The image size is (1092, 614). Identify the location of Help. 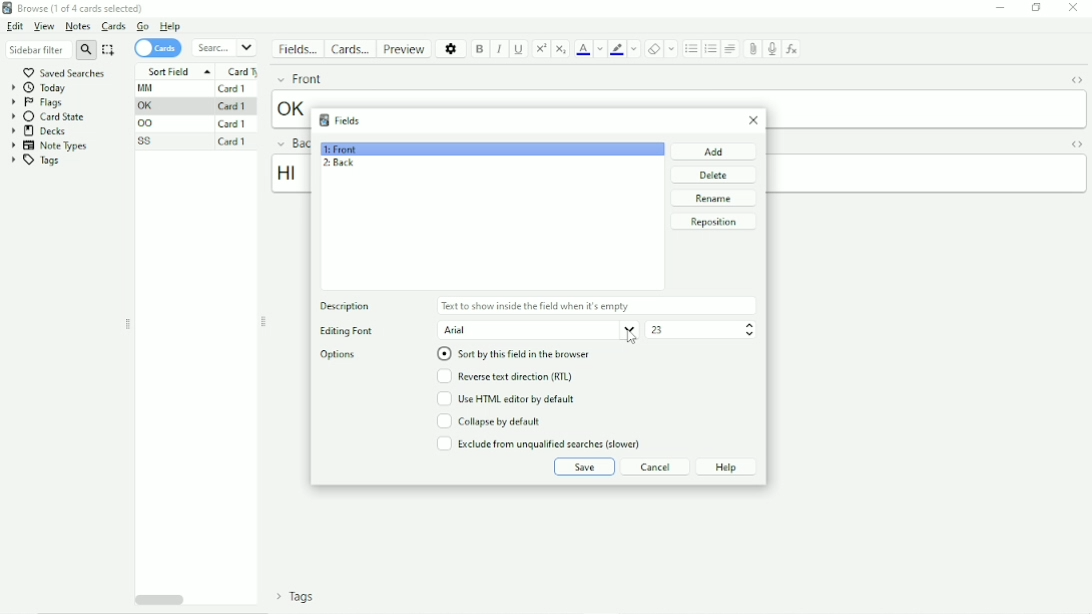
(728, 466).